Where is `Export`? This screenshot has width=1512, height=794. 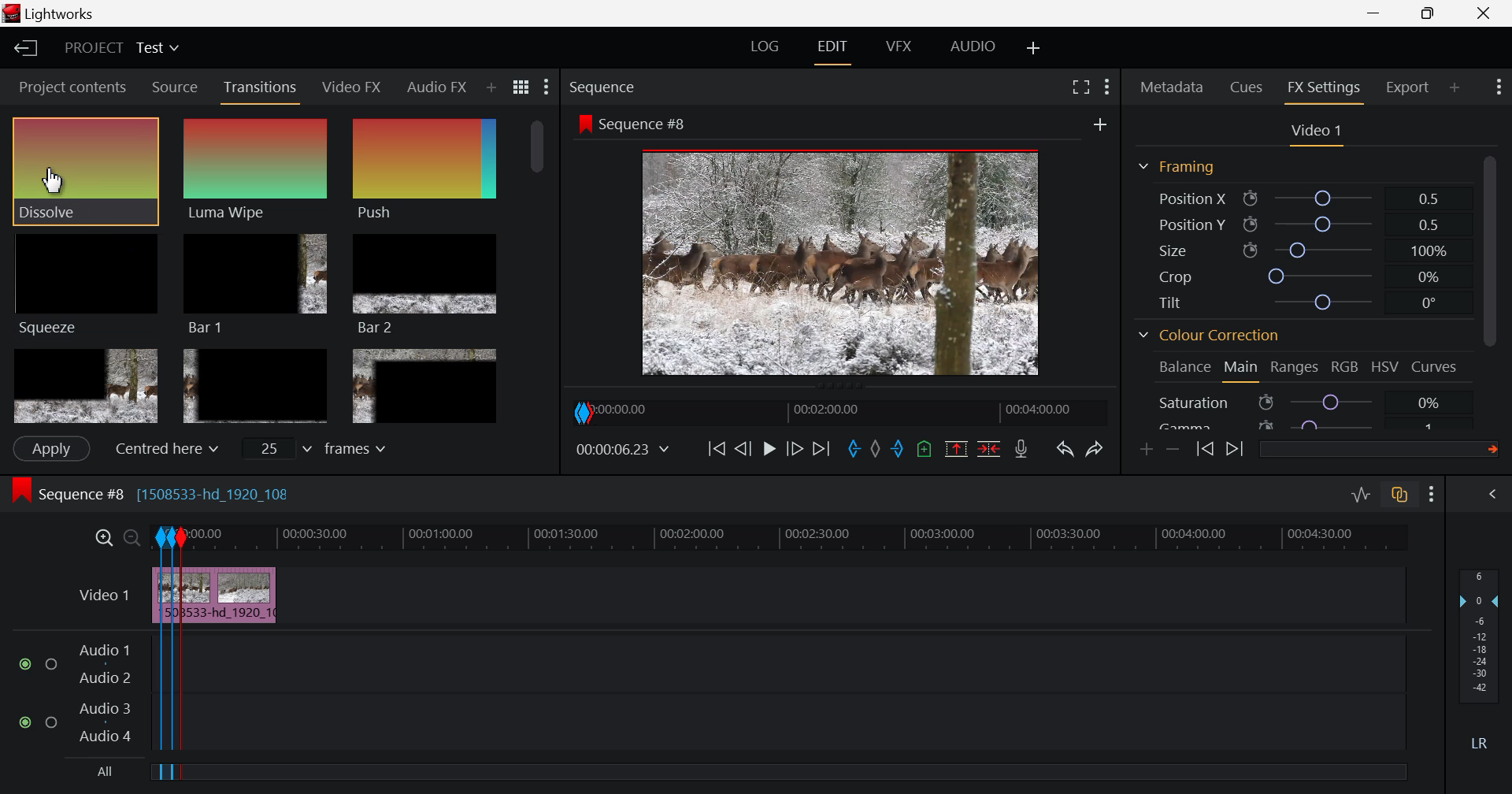
Export is located at coordinates (1409, 87).